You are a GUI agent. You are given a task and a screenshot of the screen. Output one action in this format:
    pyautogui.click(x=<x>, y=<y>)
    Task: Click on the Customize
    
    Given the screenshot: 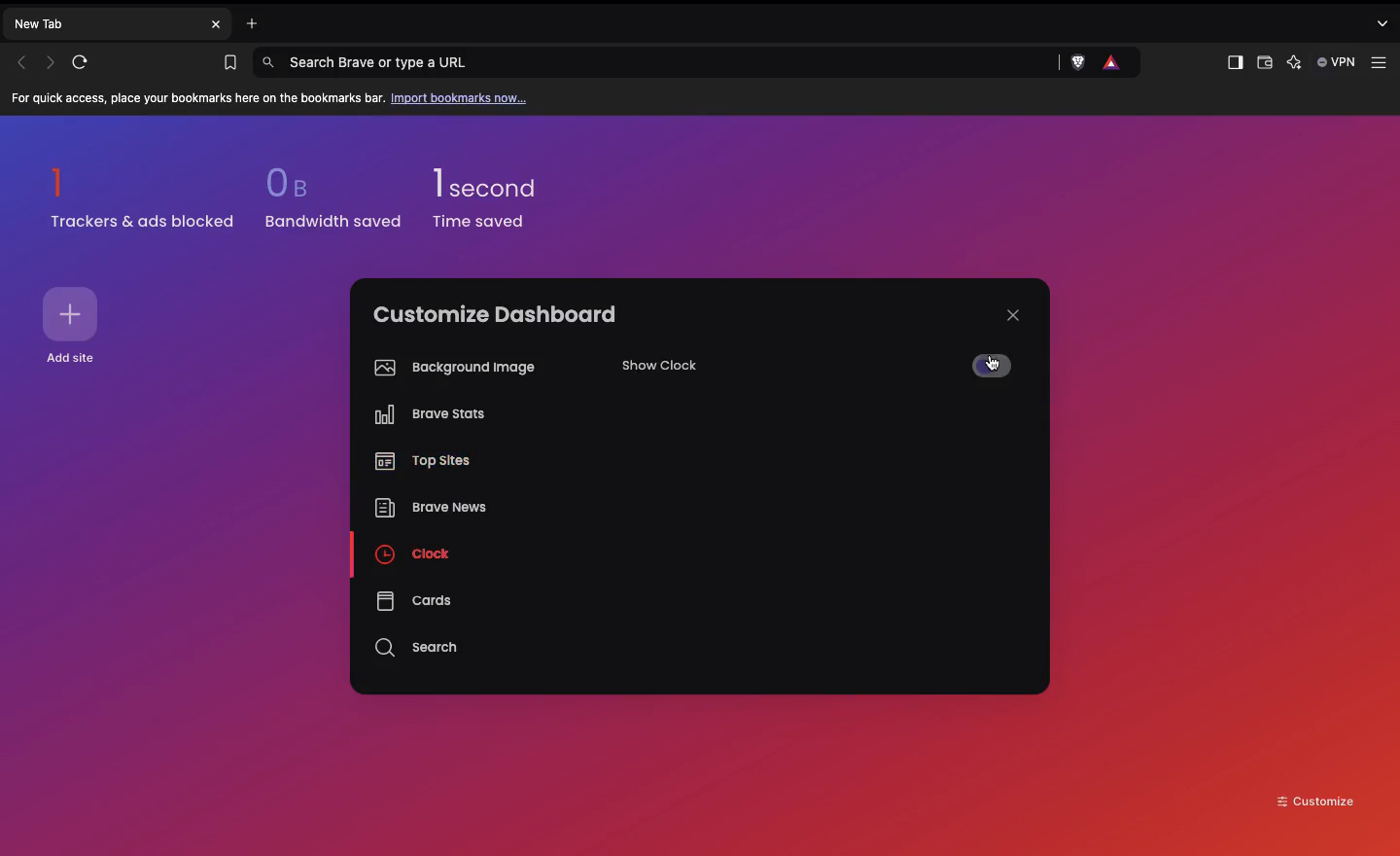 What is the action you would take?
    pyautogui.click(x=1316, y=800)
    